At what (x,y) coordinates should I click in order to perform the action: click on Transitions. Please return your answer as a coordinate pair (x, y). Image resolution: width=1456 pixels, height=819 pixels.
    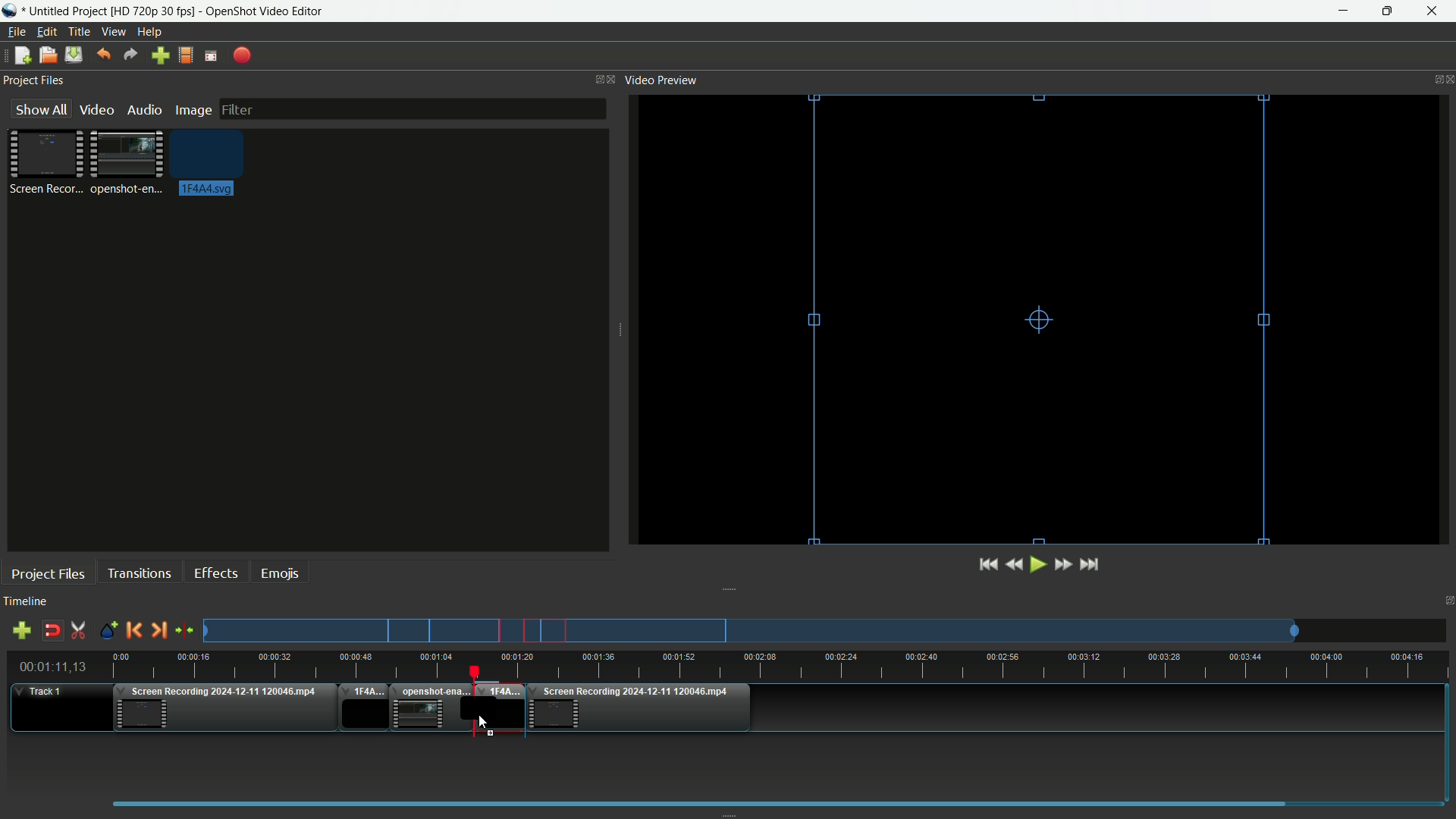
    Looking at the image, I should click on (139, 573).